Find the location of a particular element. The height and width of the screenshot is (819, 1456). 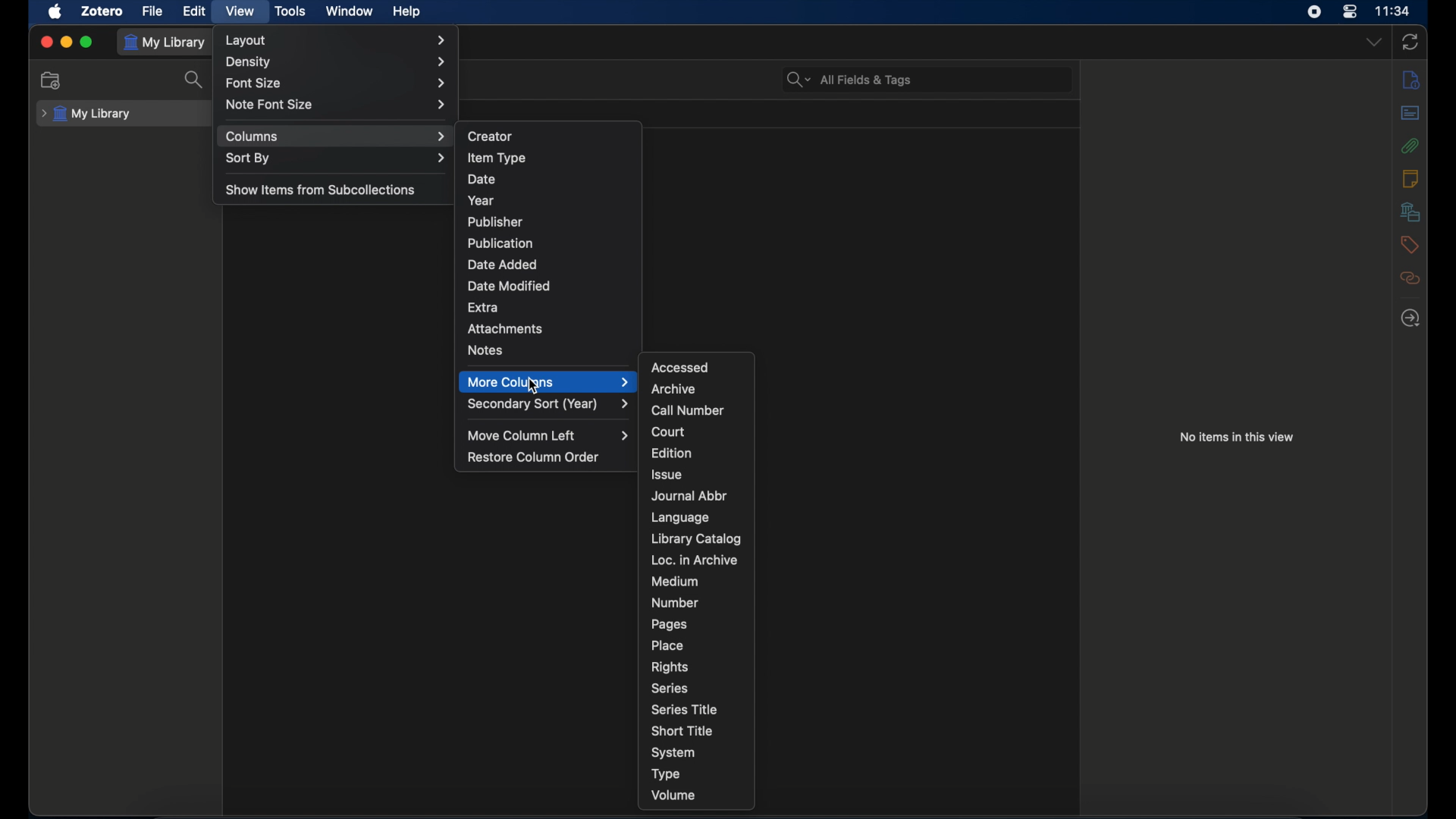

window is located at coordinates (350, 11).